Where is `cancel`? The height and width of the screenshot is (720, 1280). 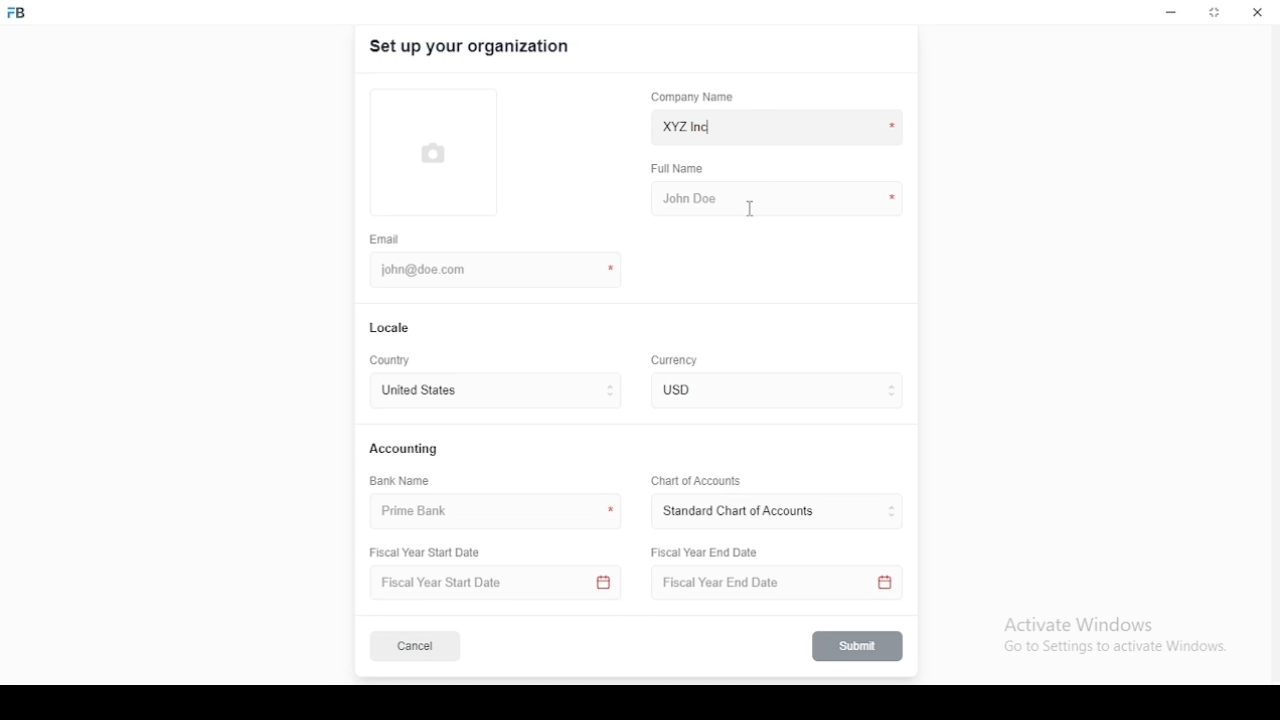
cancel is located at coordinates (415, 647).